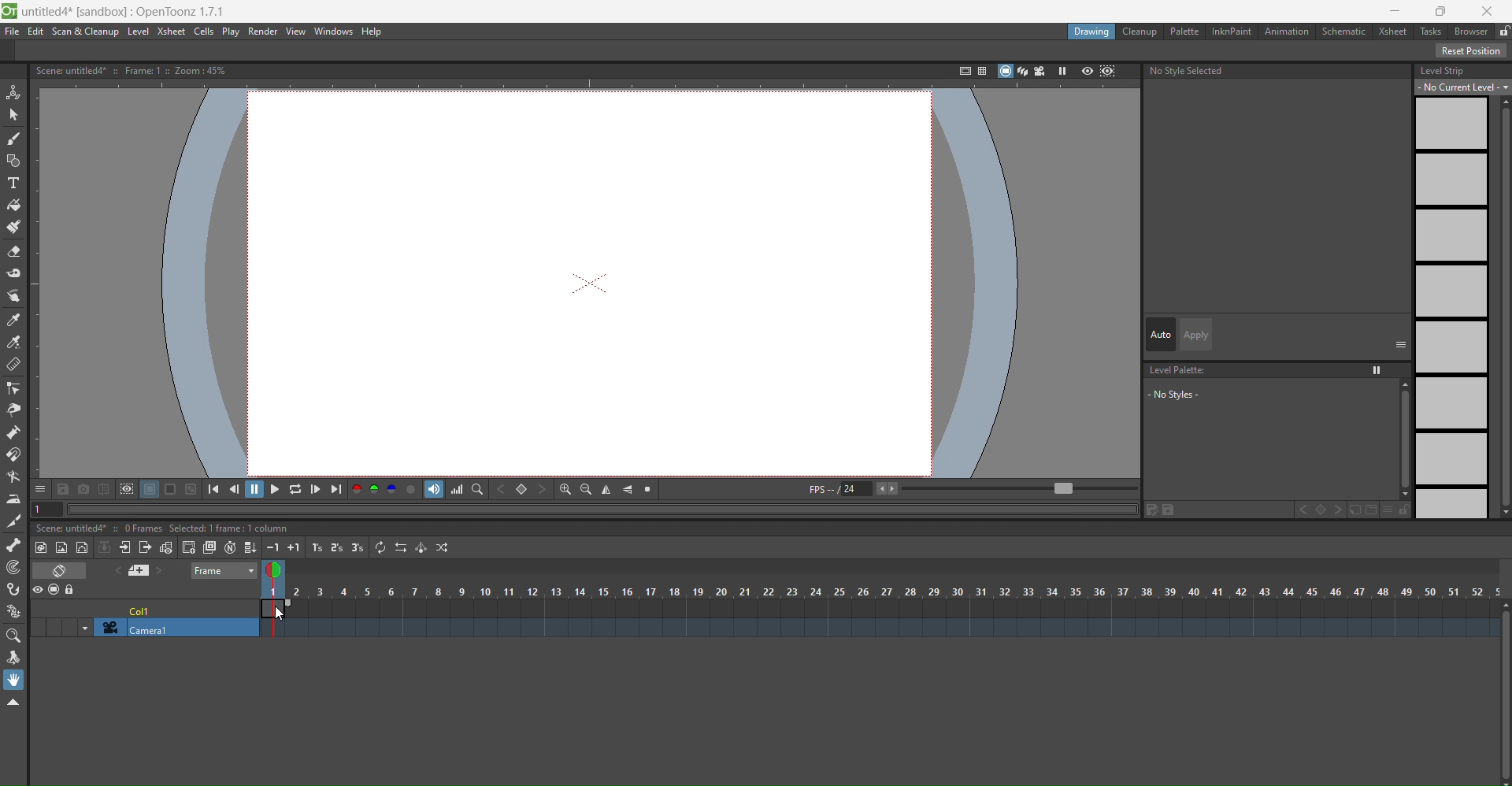 This screenshot has width=1512, height=786. I want to click on play, so click(232, 32).